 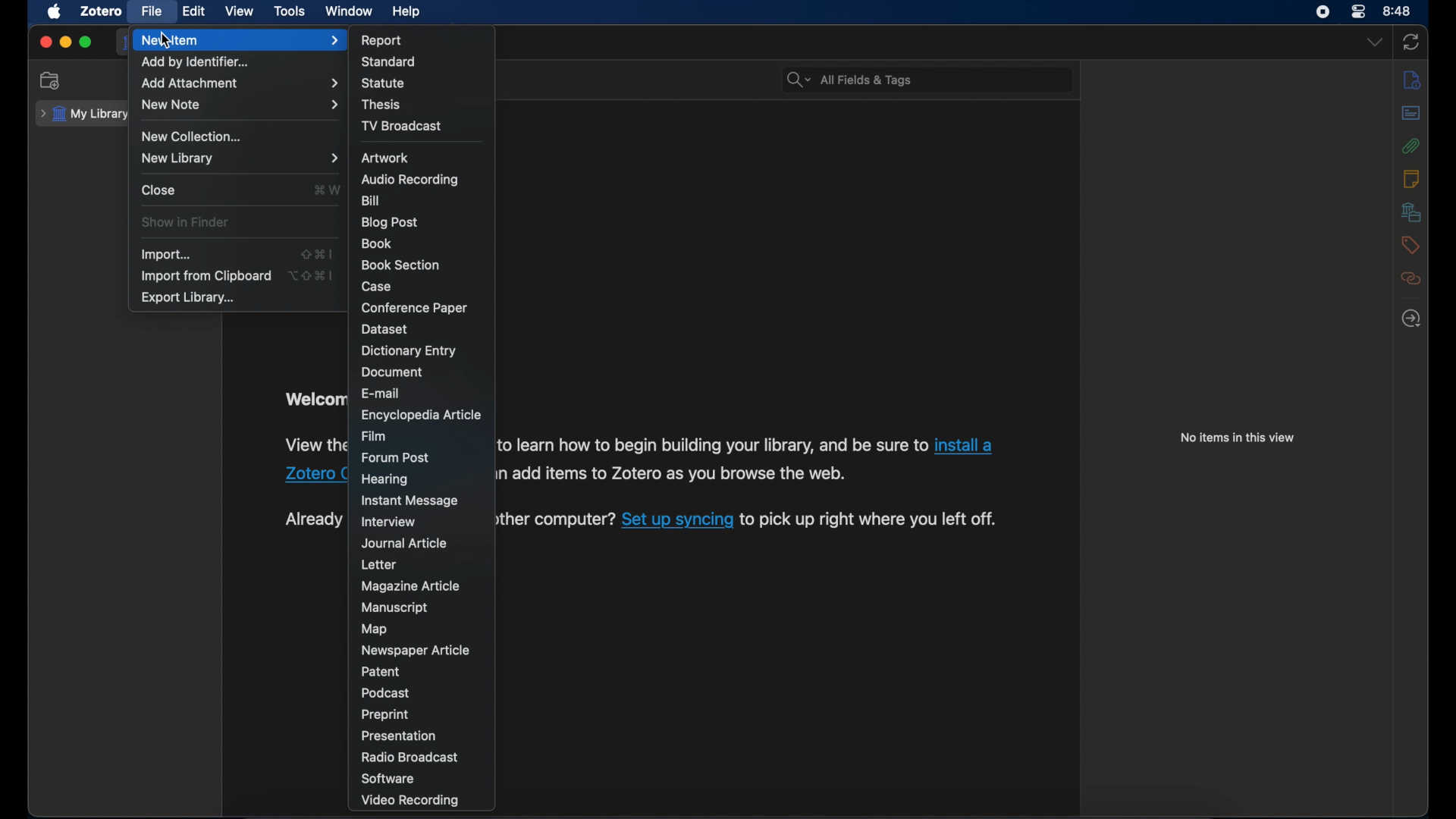 What do you see at coordinates (1410, 178) in the screenshot?
I see `notes` at bounding box center [1410, 178].